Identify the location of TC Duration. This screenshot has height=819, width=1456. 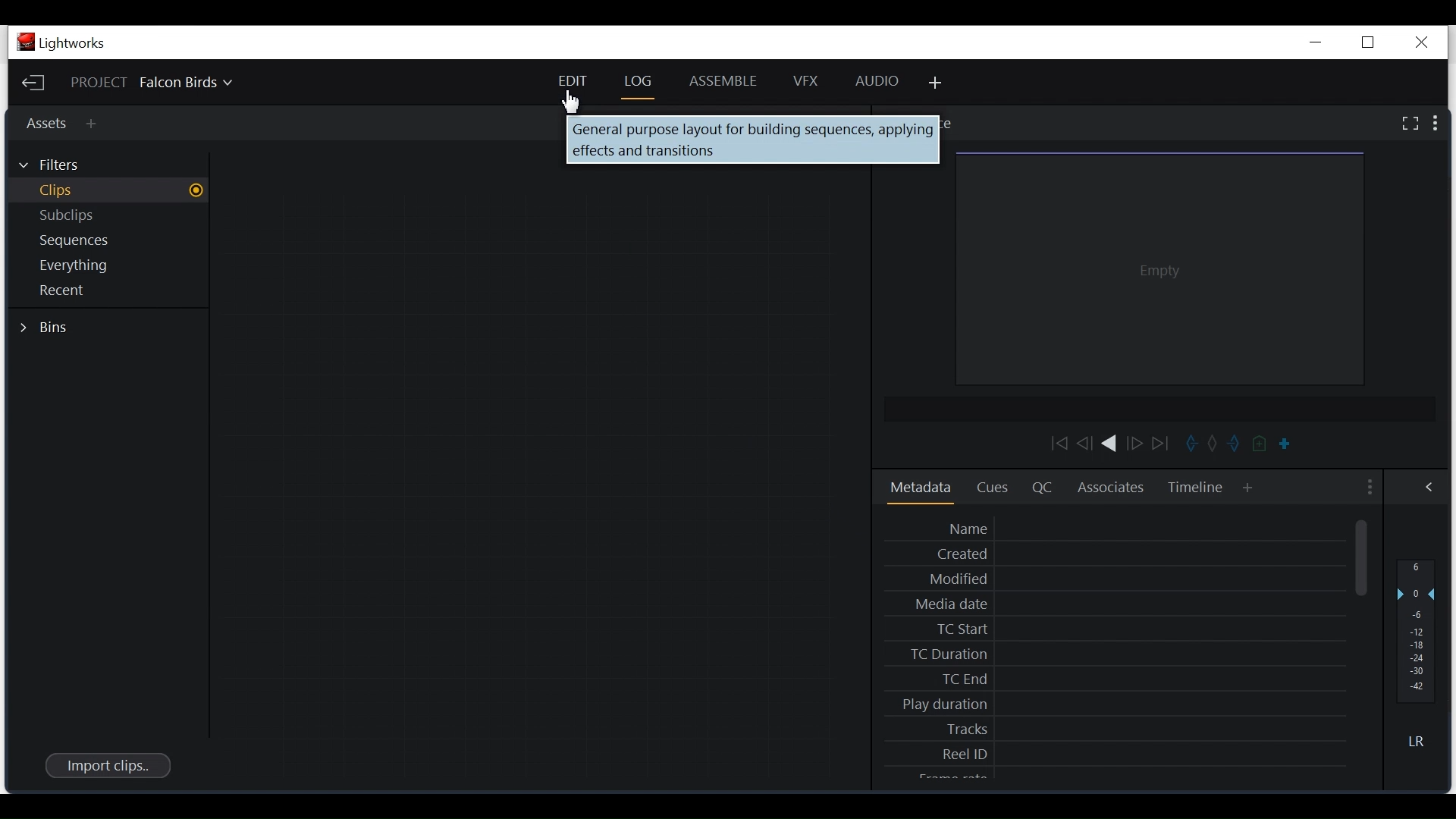
(1122, 653).